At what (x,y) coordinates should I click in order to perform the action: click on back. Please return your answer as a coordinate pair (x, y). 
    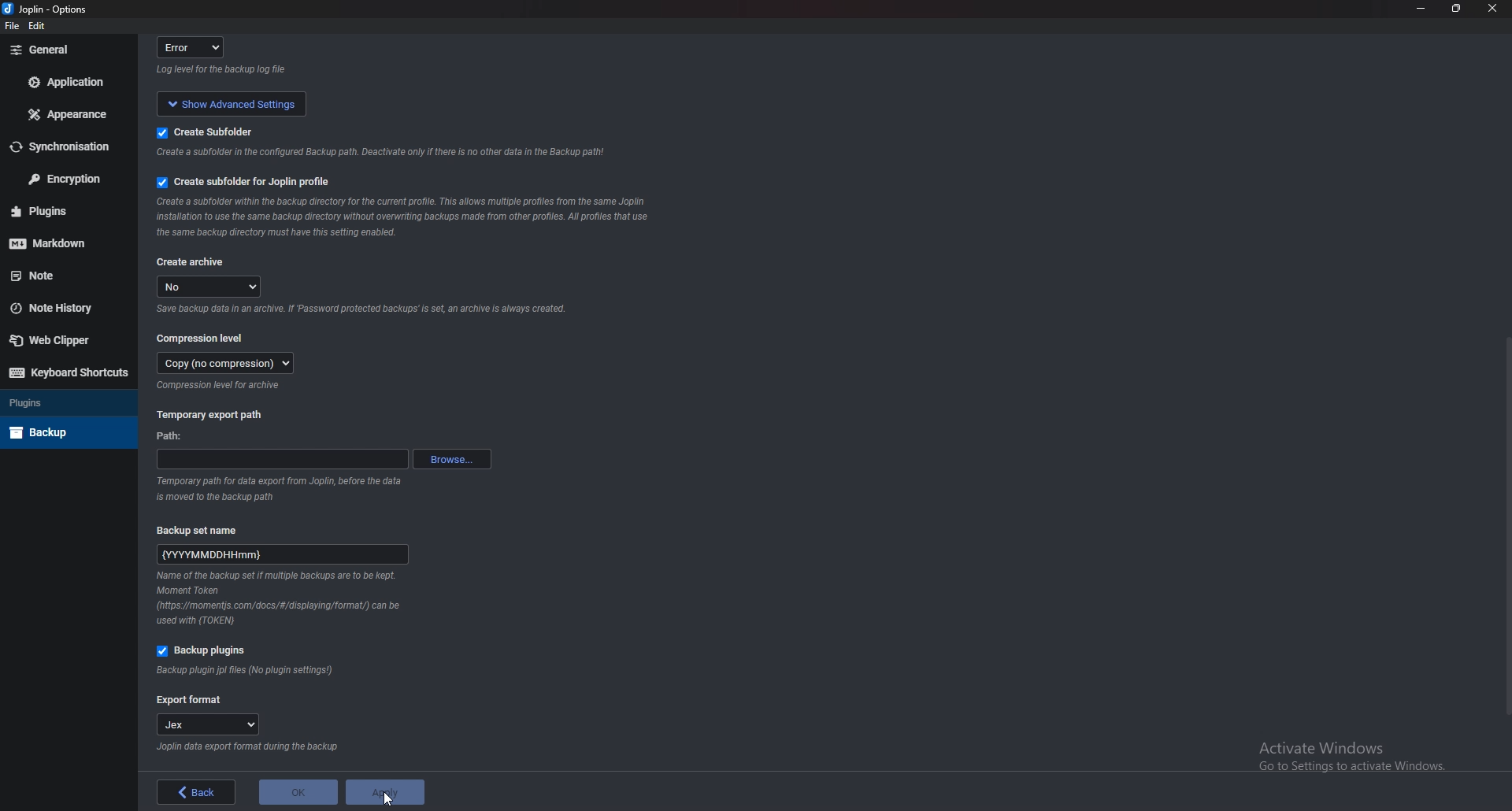
    Looking at the image, I should click on (197, 792).